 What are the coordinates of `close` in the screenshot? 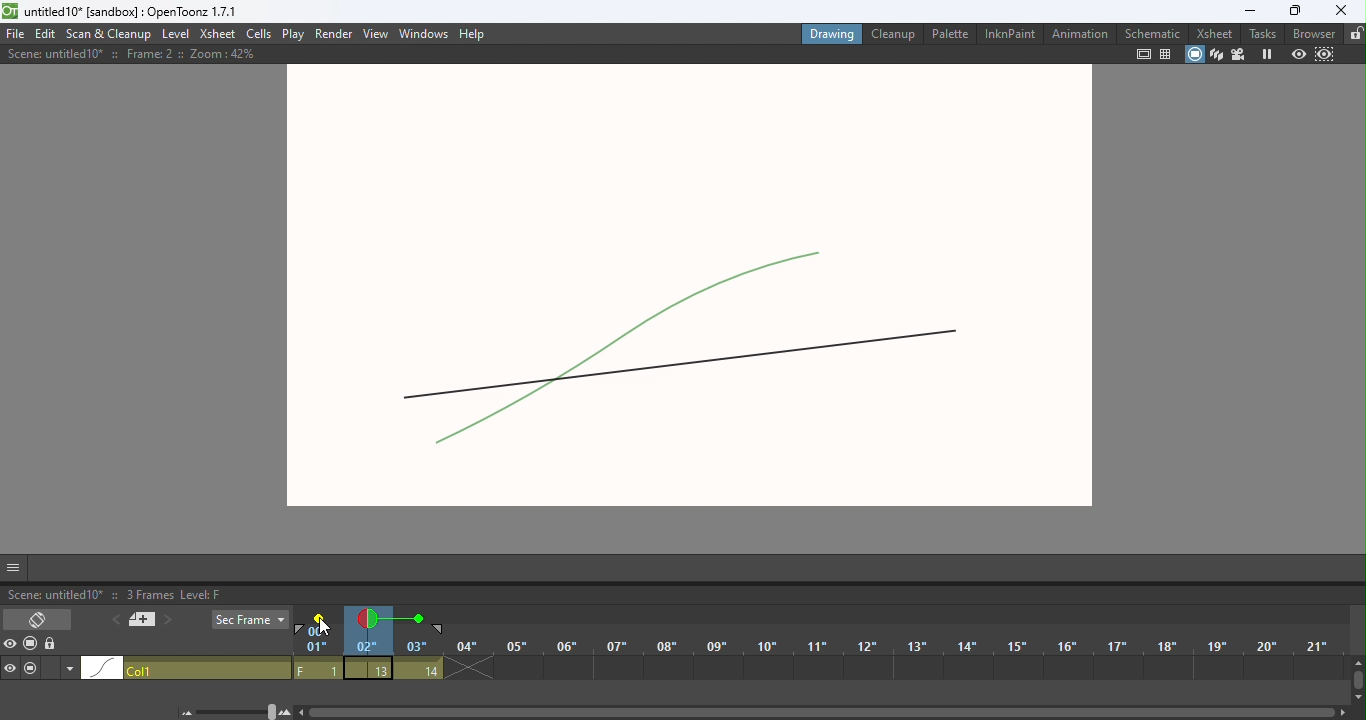 It's located at (1346, 11).